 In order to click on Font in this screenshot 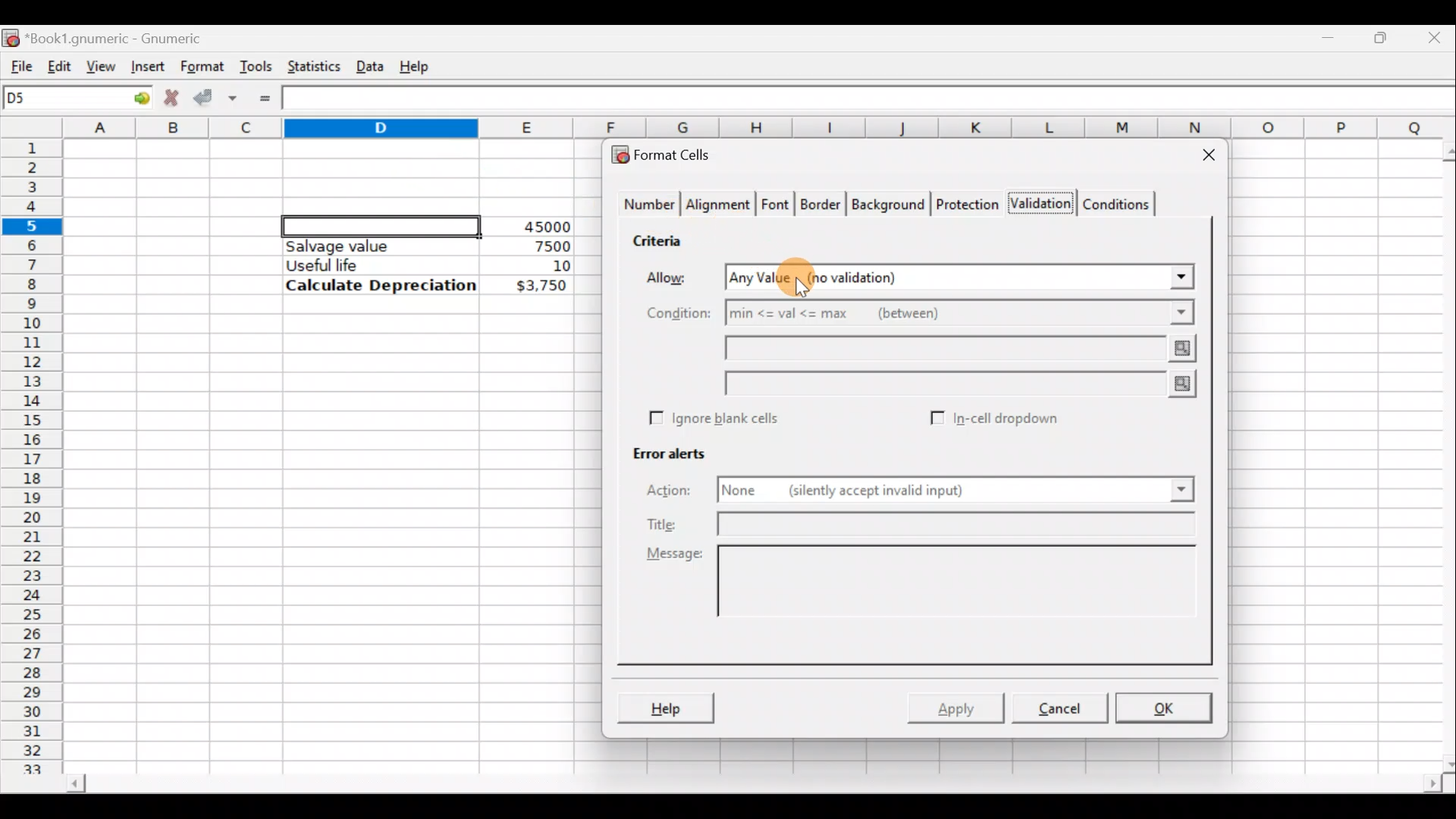, I will do `click(777, 206)`.